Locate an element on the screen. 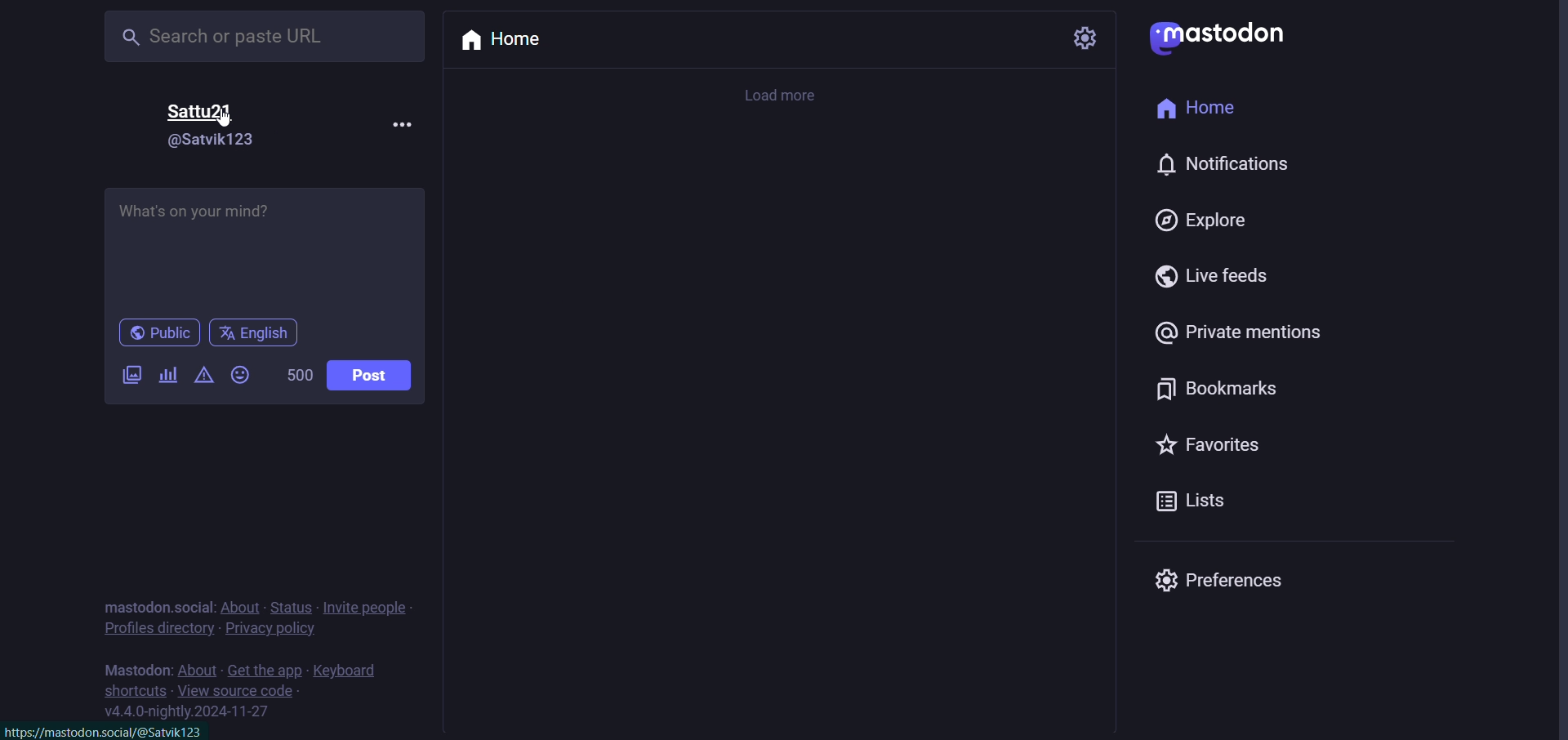 Image resolution: width=1568 pixels, height=740 pixels. mastodon is located at coordinates (131, 605).